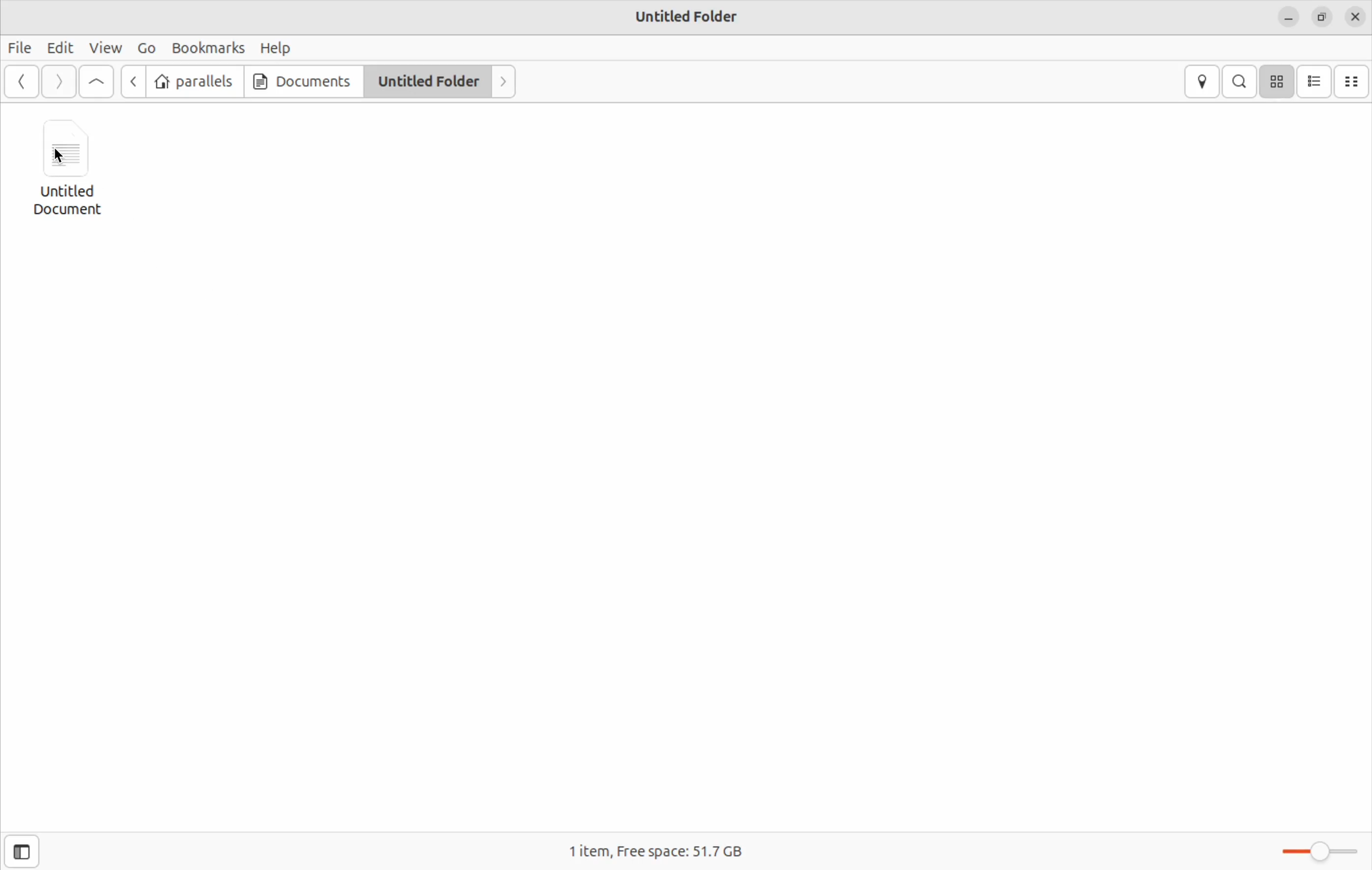 This screenshot has width=1372, height=870. Describe the element at coordinates (195, 80) in the screenshot. I see `parallels` at that location.